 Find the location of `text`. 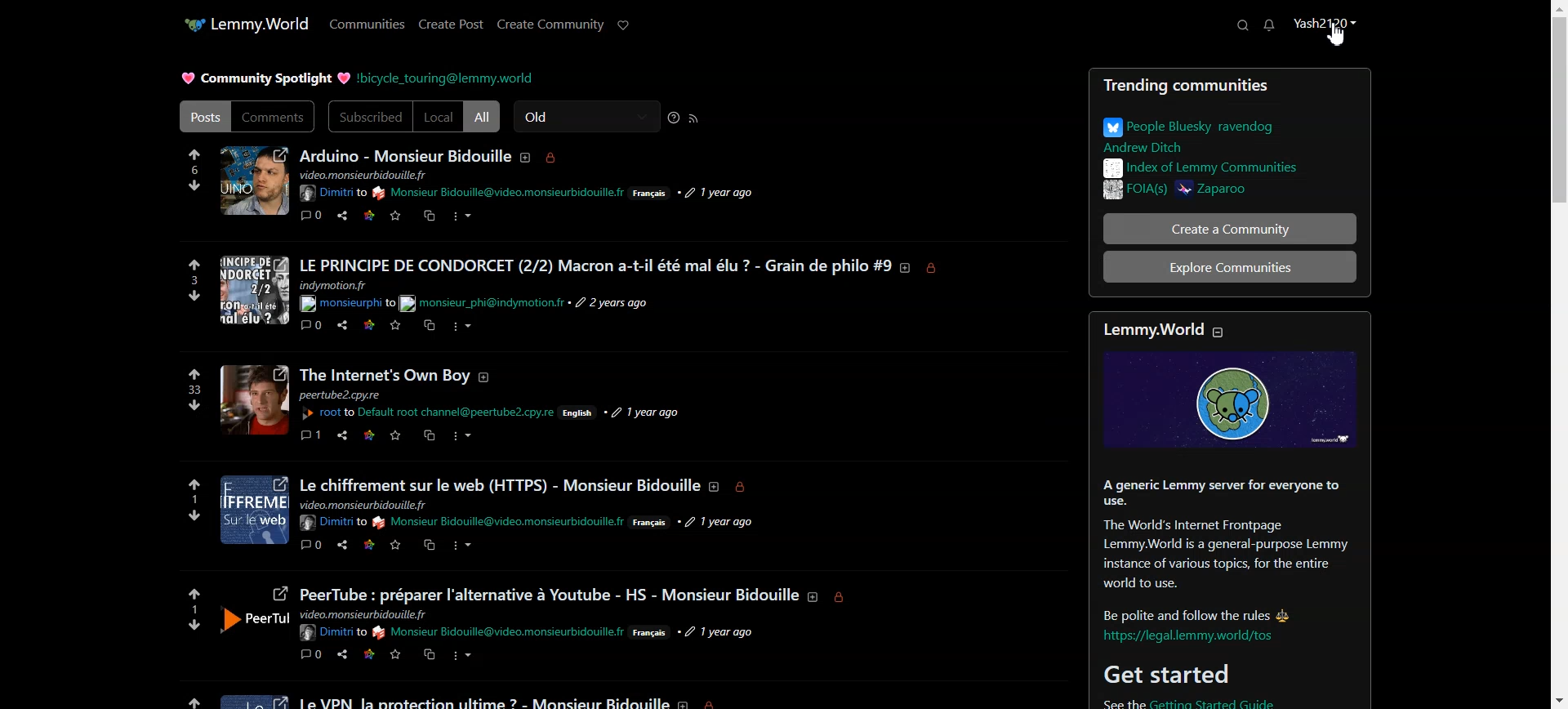

text is located at coordinates (550, 587).